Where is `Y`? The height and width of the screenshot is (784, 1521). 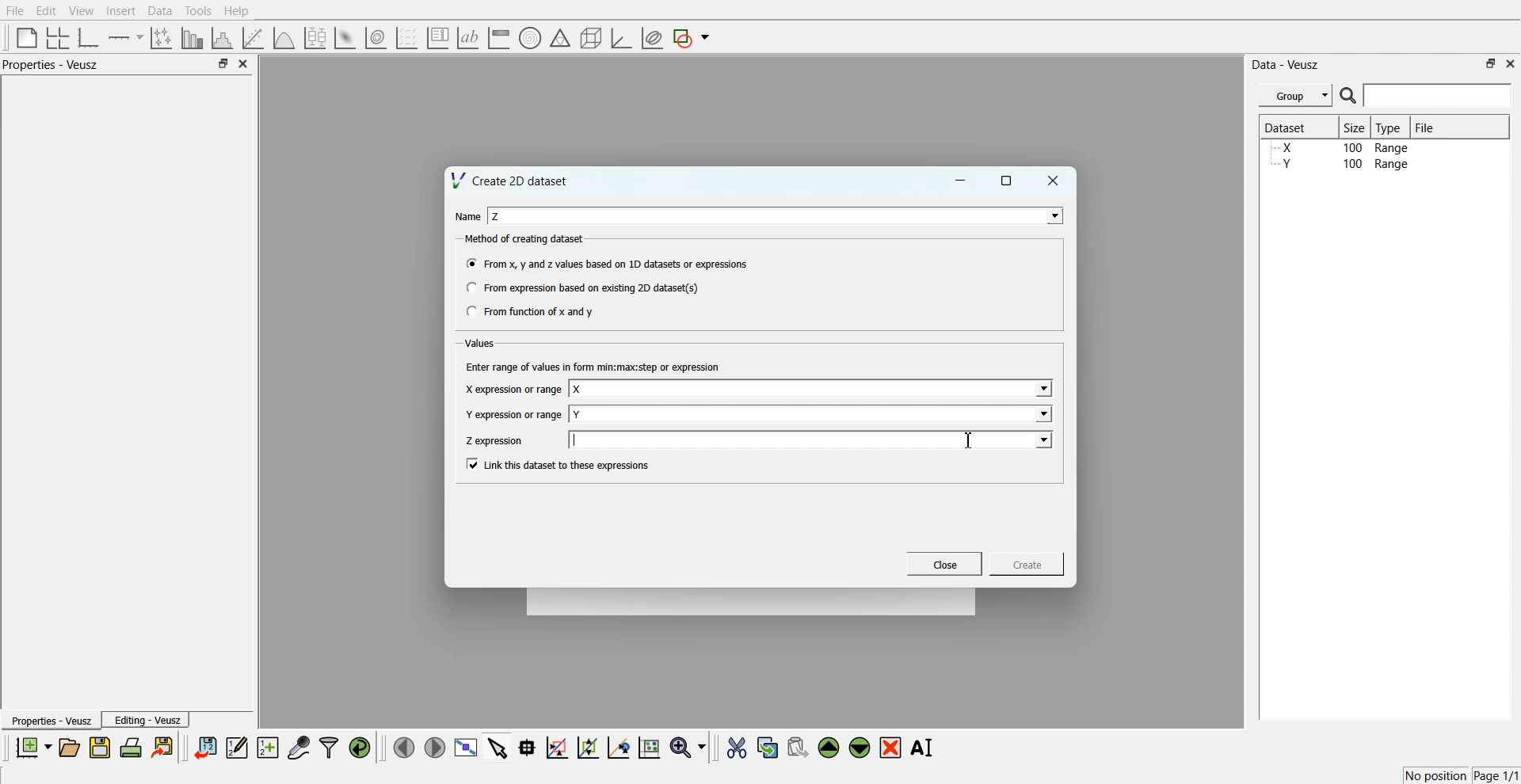 Y is located at coordinates (578, 414).